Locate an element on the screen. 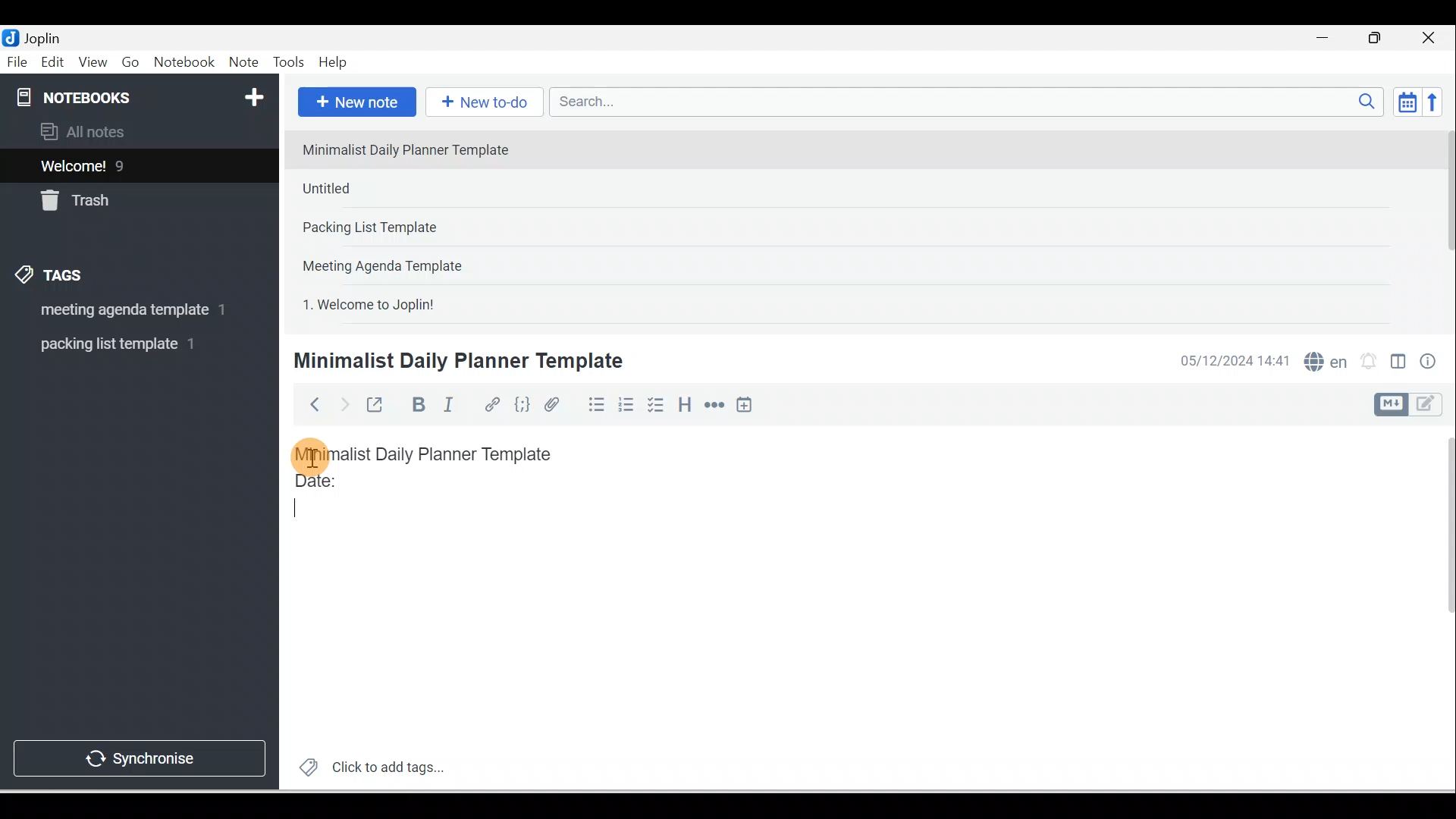  Bulleted list is located at coordinates (593, 404).